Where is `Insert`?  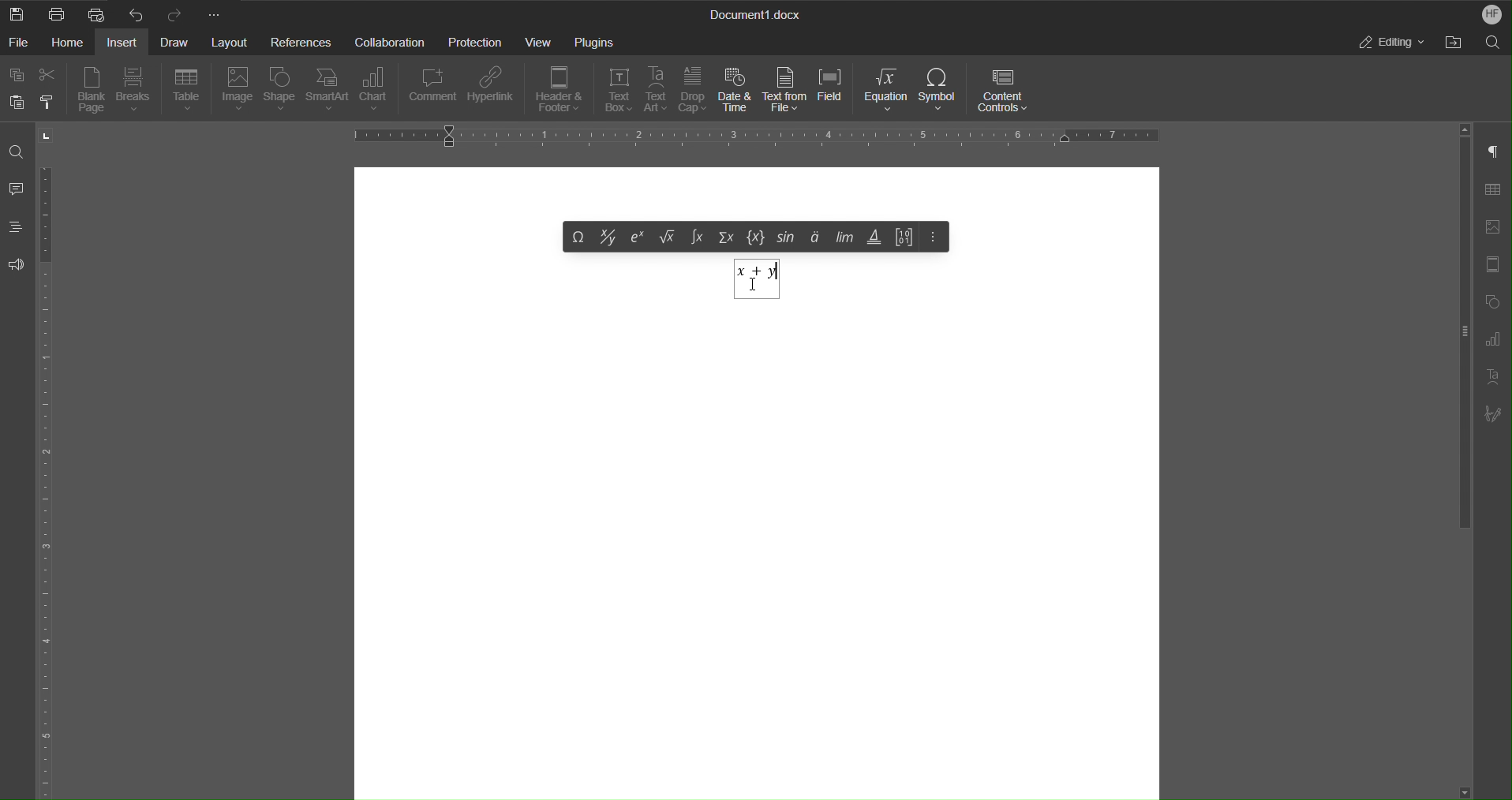 Insert is located at coordinates (121, 44).